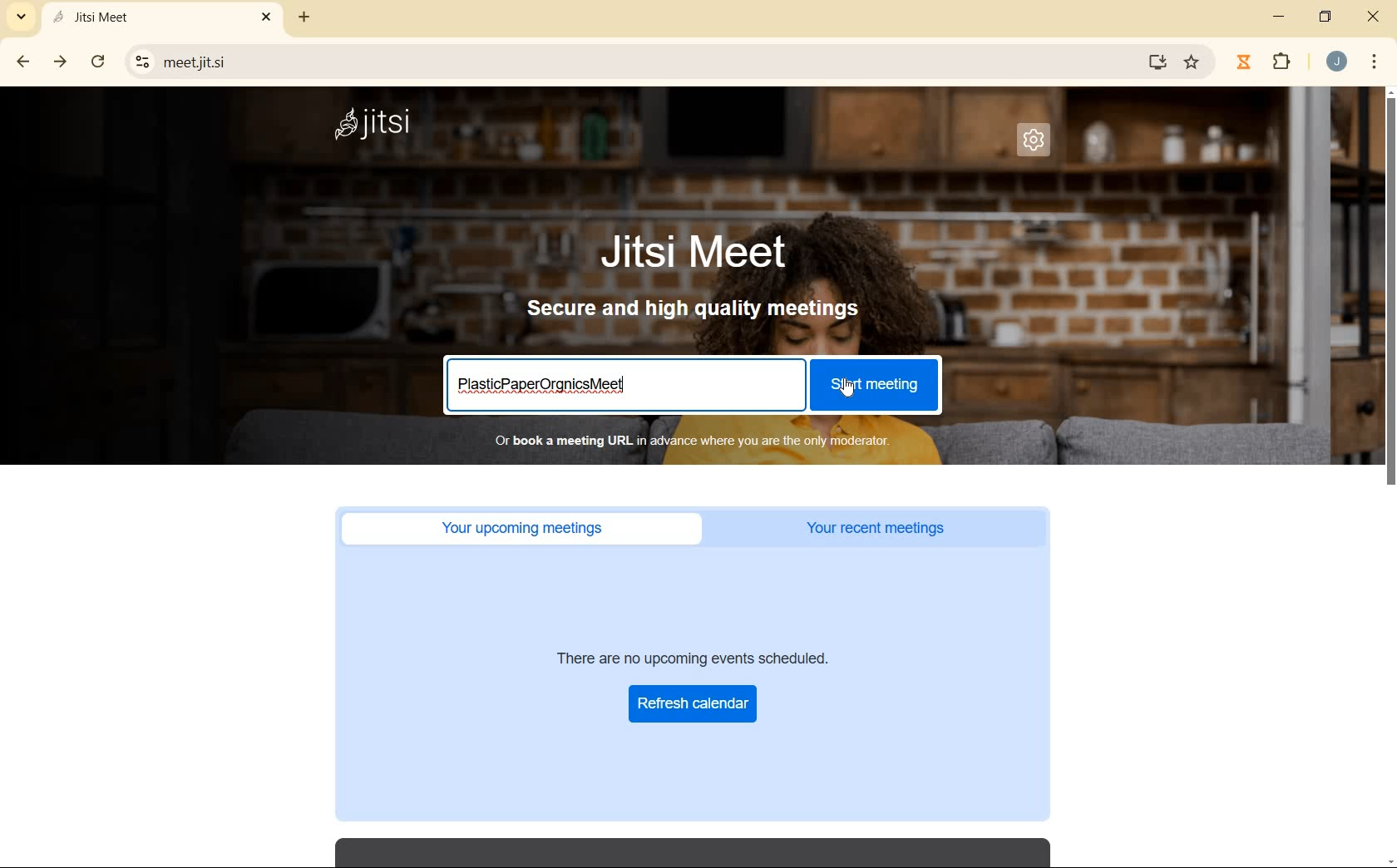  Describe the element at coordinates (1327, 18) in the screenshot. I see `restore down` at that location.